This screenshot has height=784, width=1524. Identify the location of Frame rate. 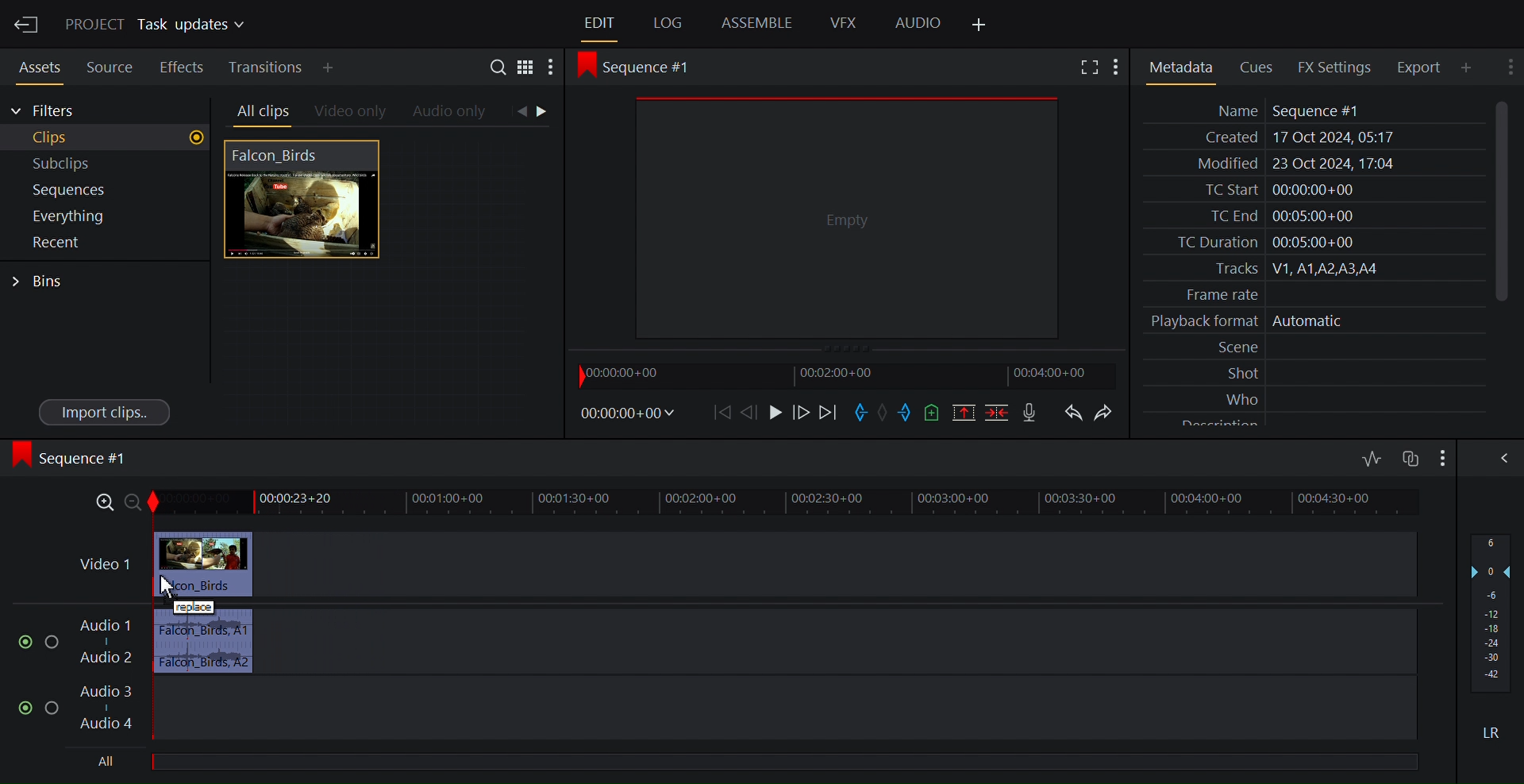
(1307, 292).